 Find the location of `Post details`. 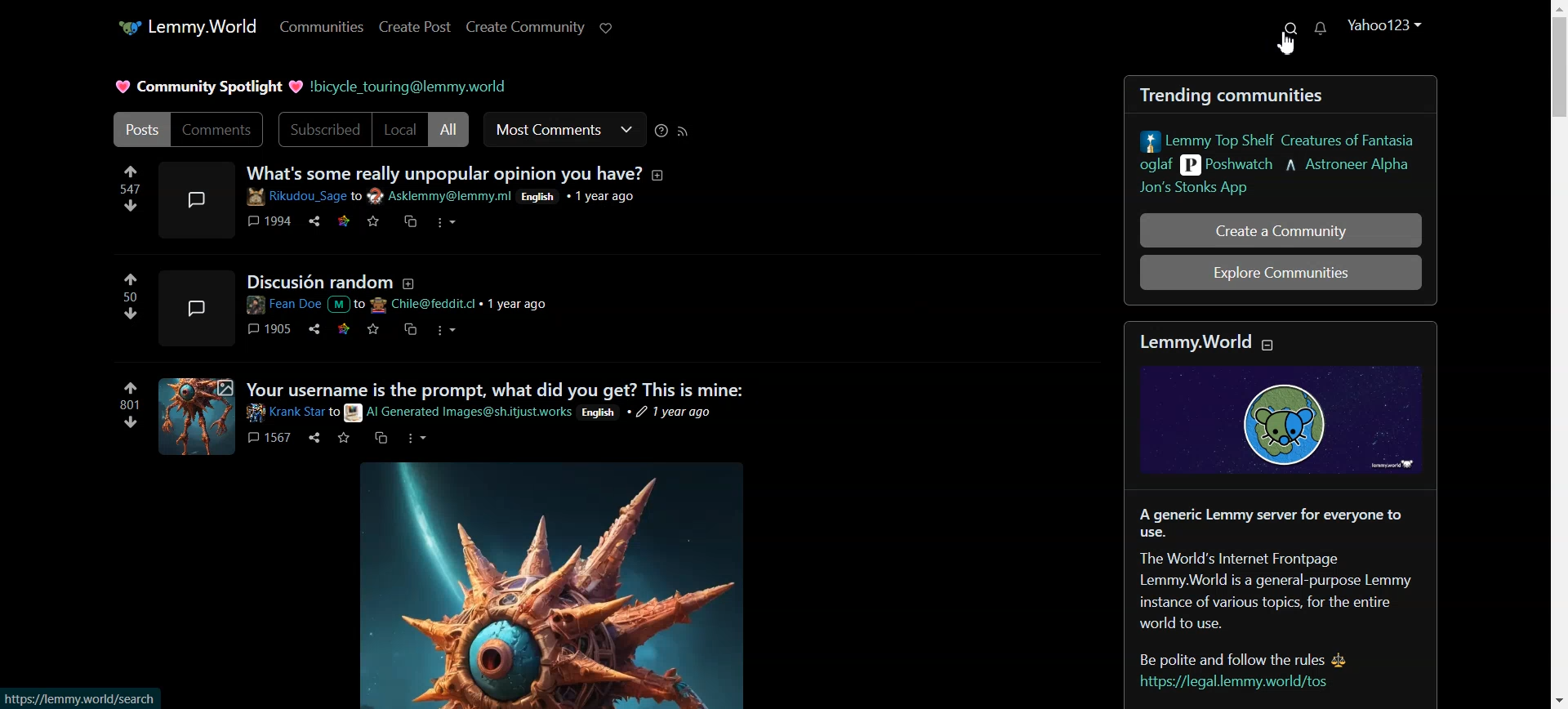

Post details is located at coordinates (441, 196).